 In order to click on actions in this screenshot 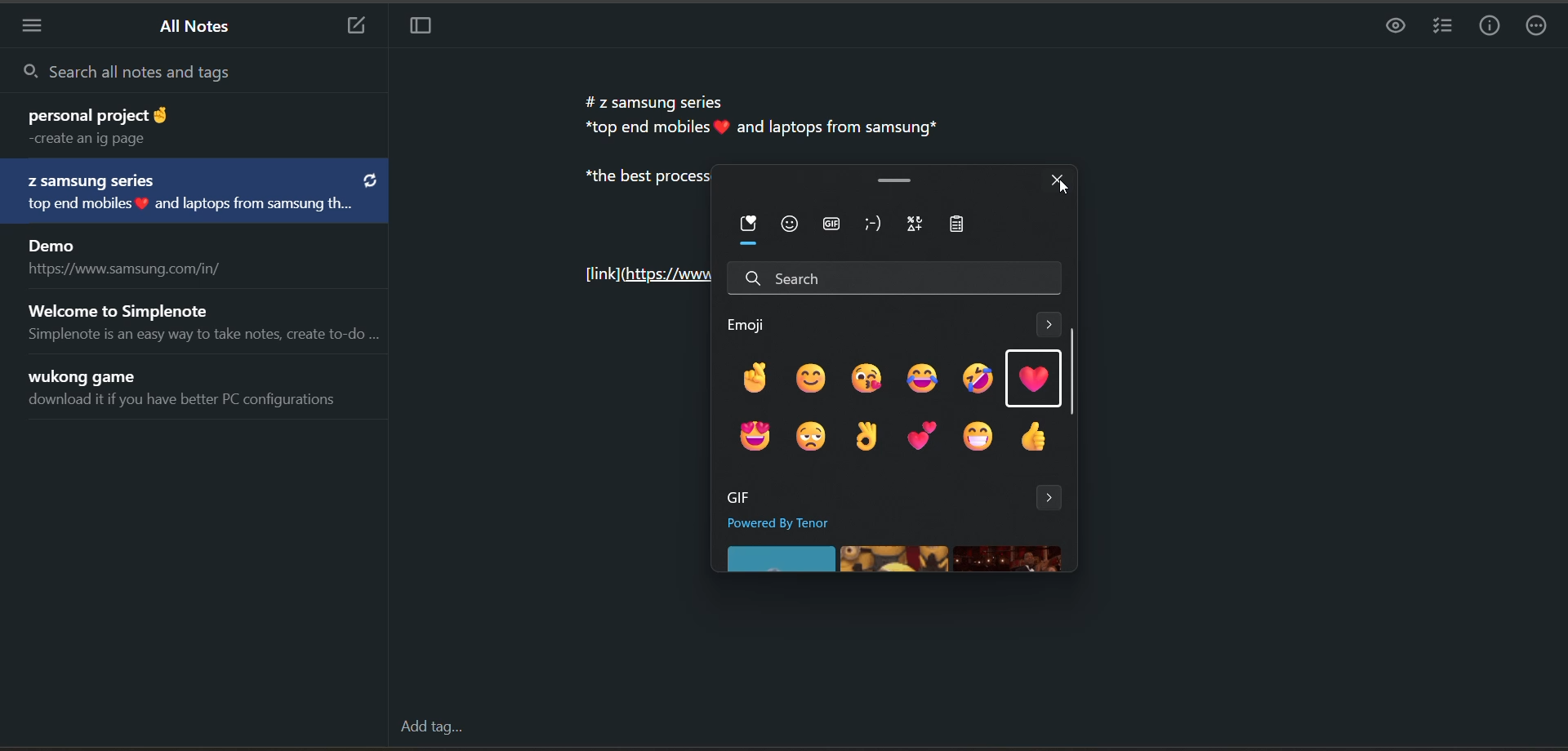, I will do `click(1538, 29)`.